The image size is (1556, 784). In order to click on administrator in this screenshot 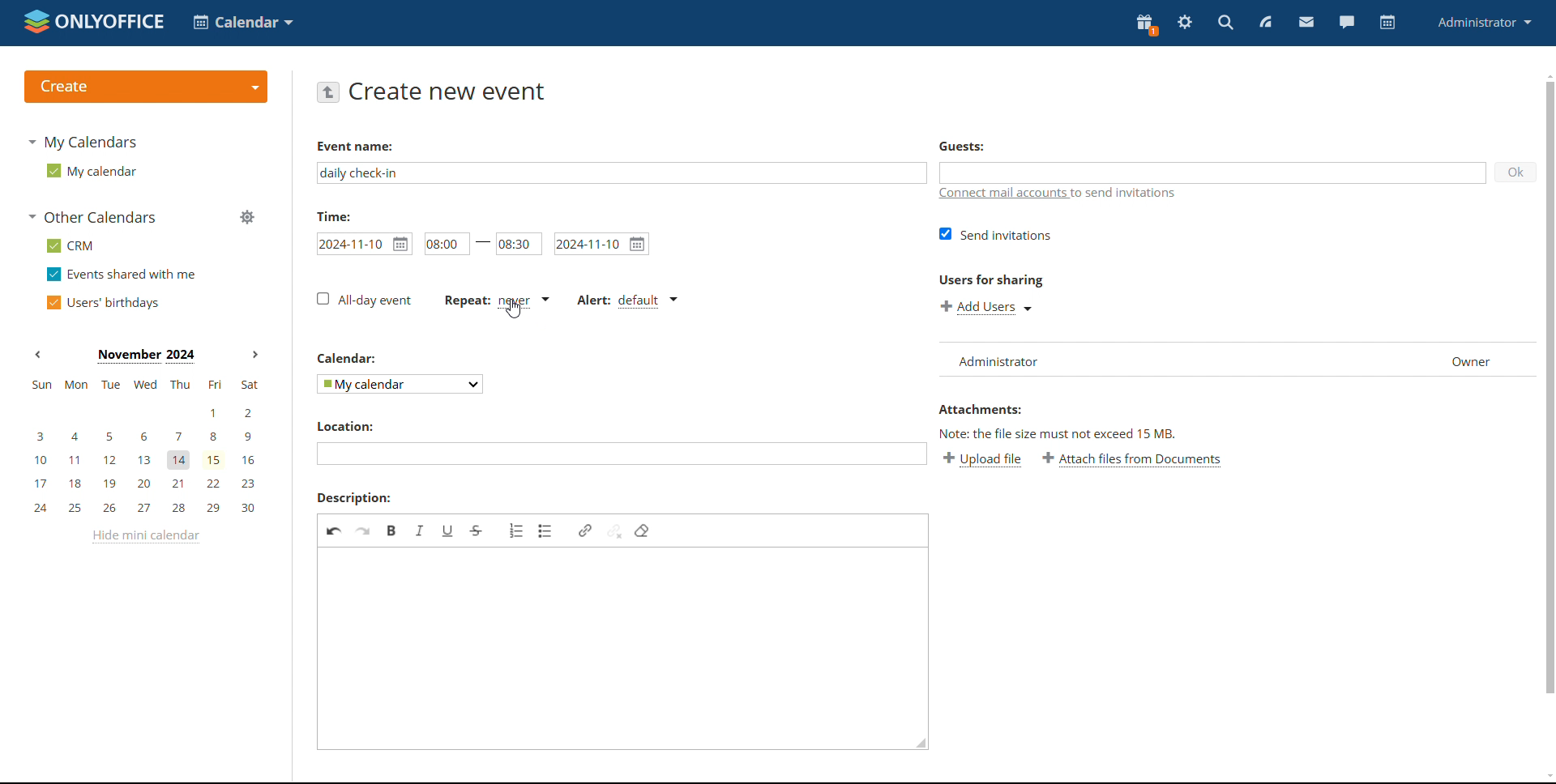, I will do `click(1483, 21)`.